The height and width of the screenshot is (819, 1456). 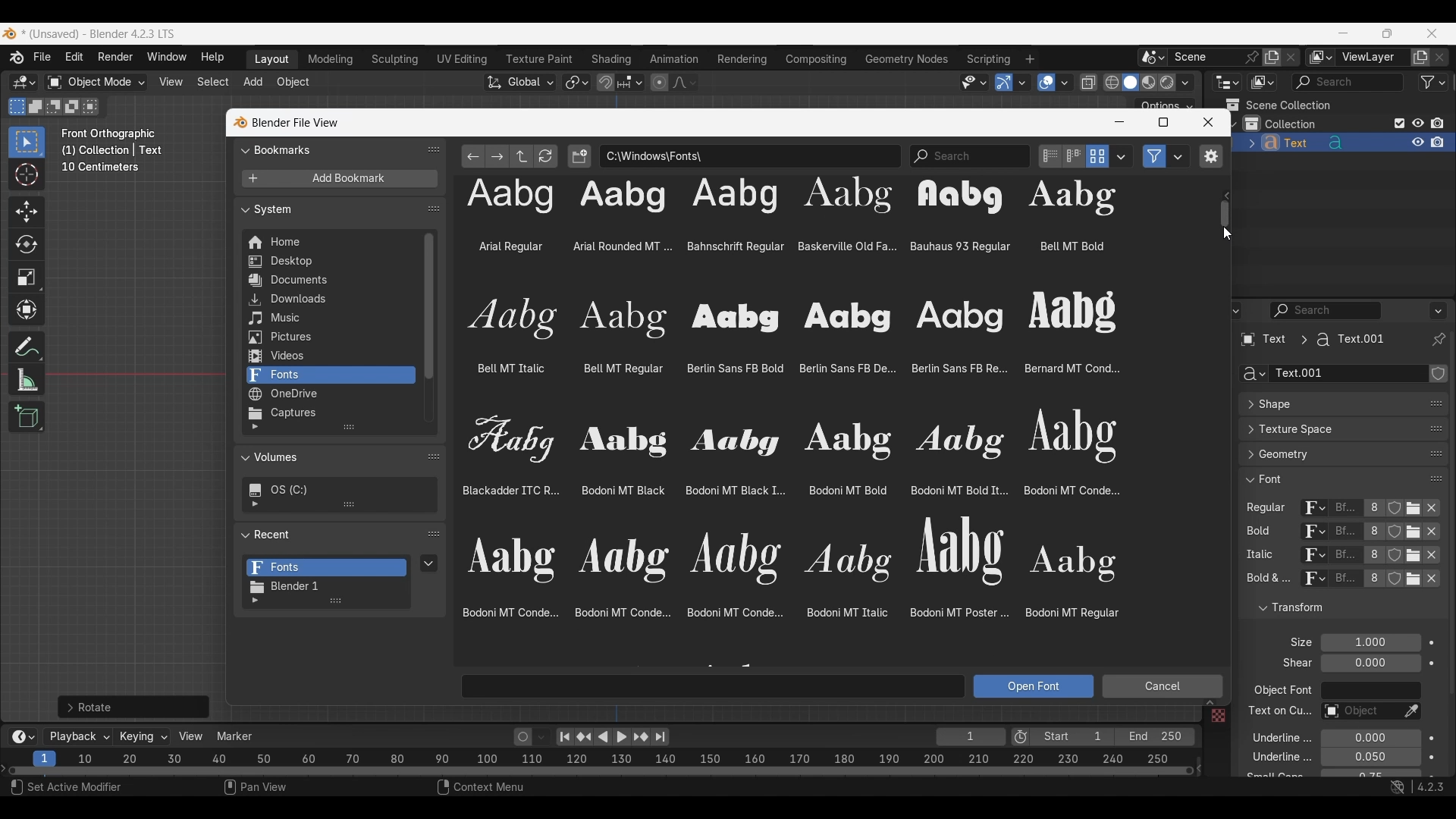 What do you see at coordinates (1394, 511) in the screenshot?
I see `Fake user for respe` at bounding box center [1394, 511].